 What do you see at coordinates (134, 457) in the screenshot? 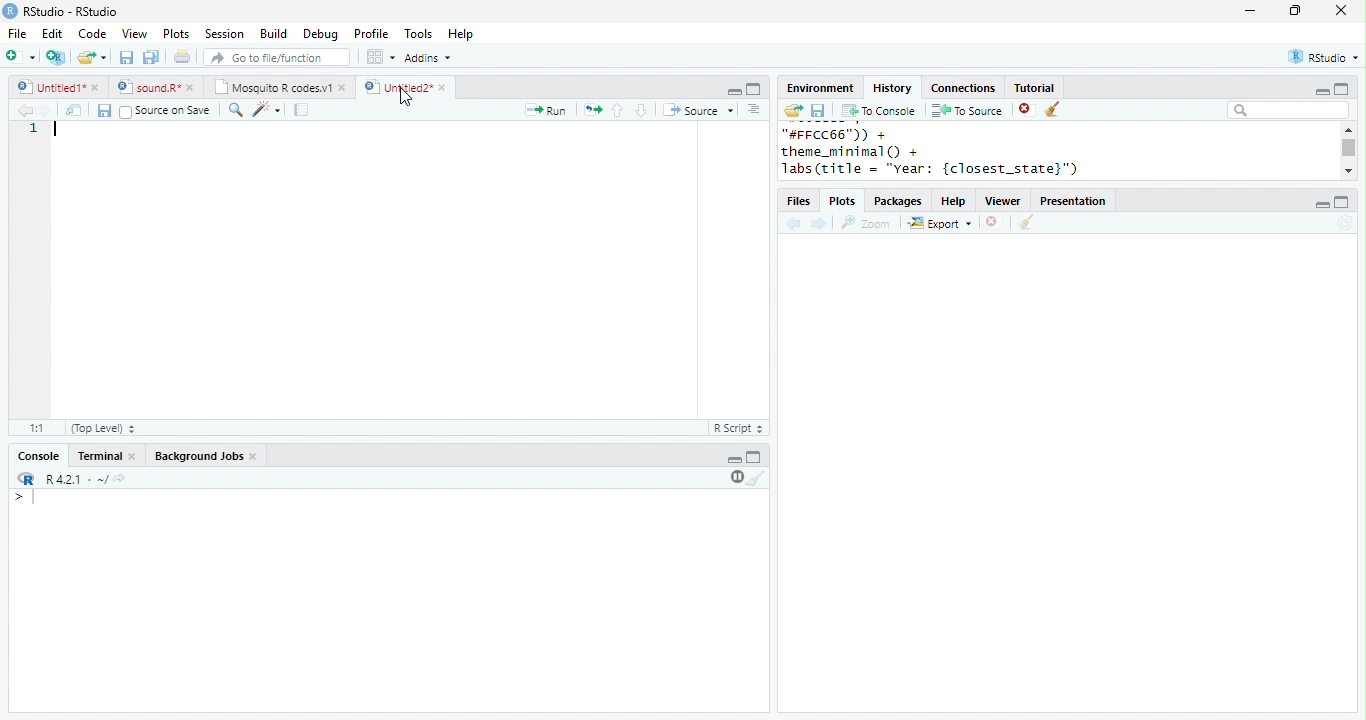
I see `close` at bounding box center [134, 457].